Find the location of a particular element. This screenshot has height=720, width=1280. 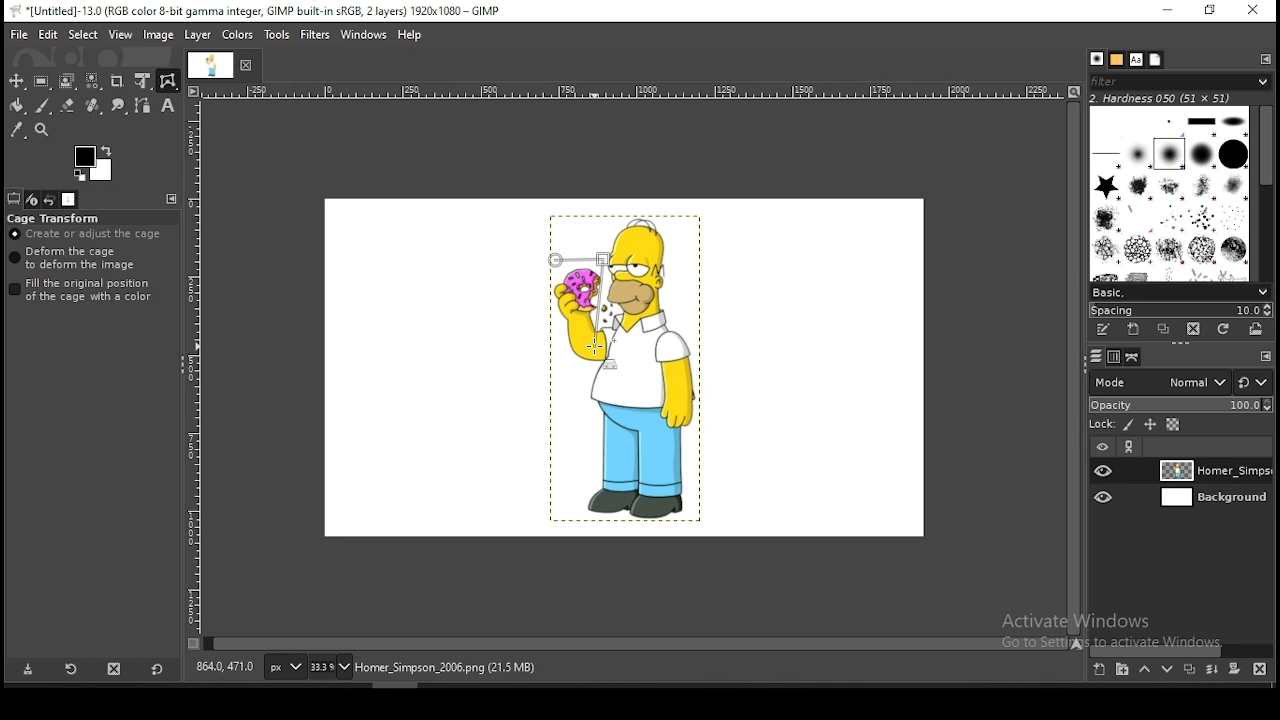

cage transform tool is located at coordinates (168, 81).